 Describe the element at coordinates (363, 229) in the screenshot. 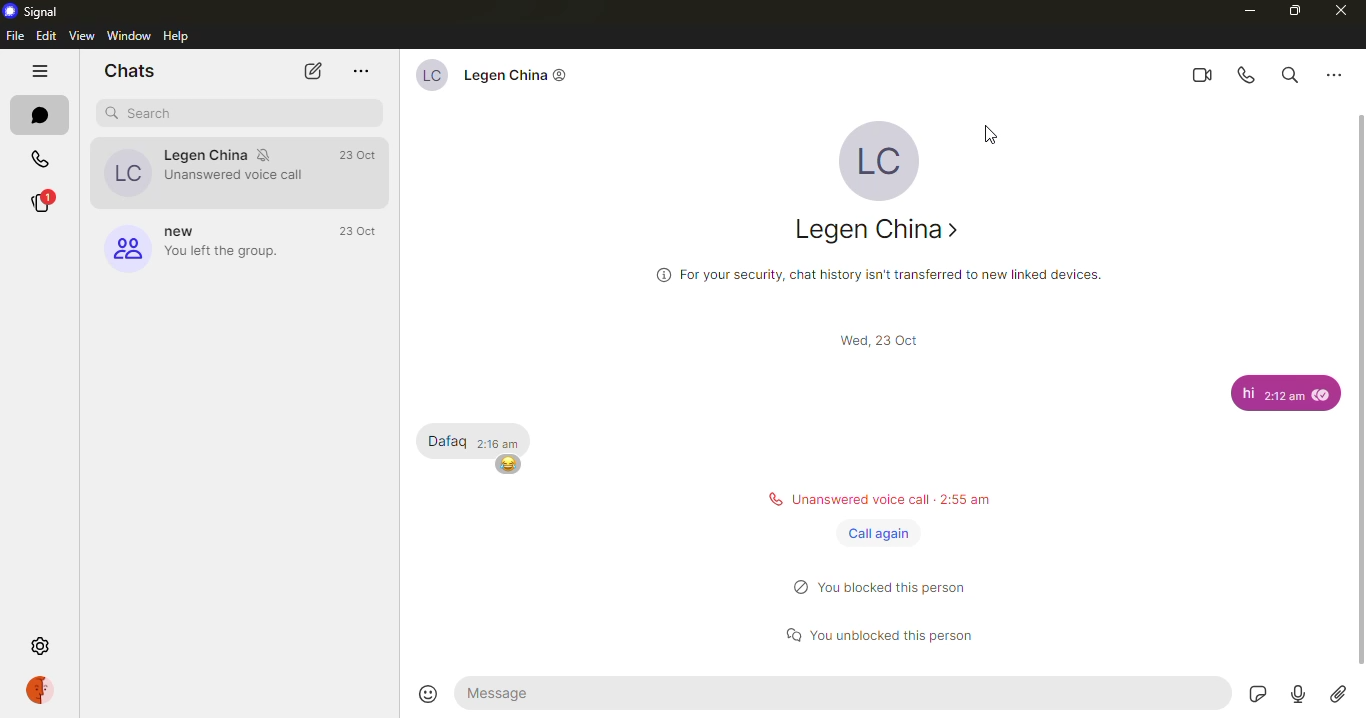

I see `time` at that location.